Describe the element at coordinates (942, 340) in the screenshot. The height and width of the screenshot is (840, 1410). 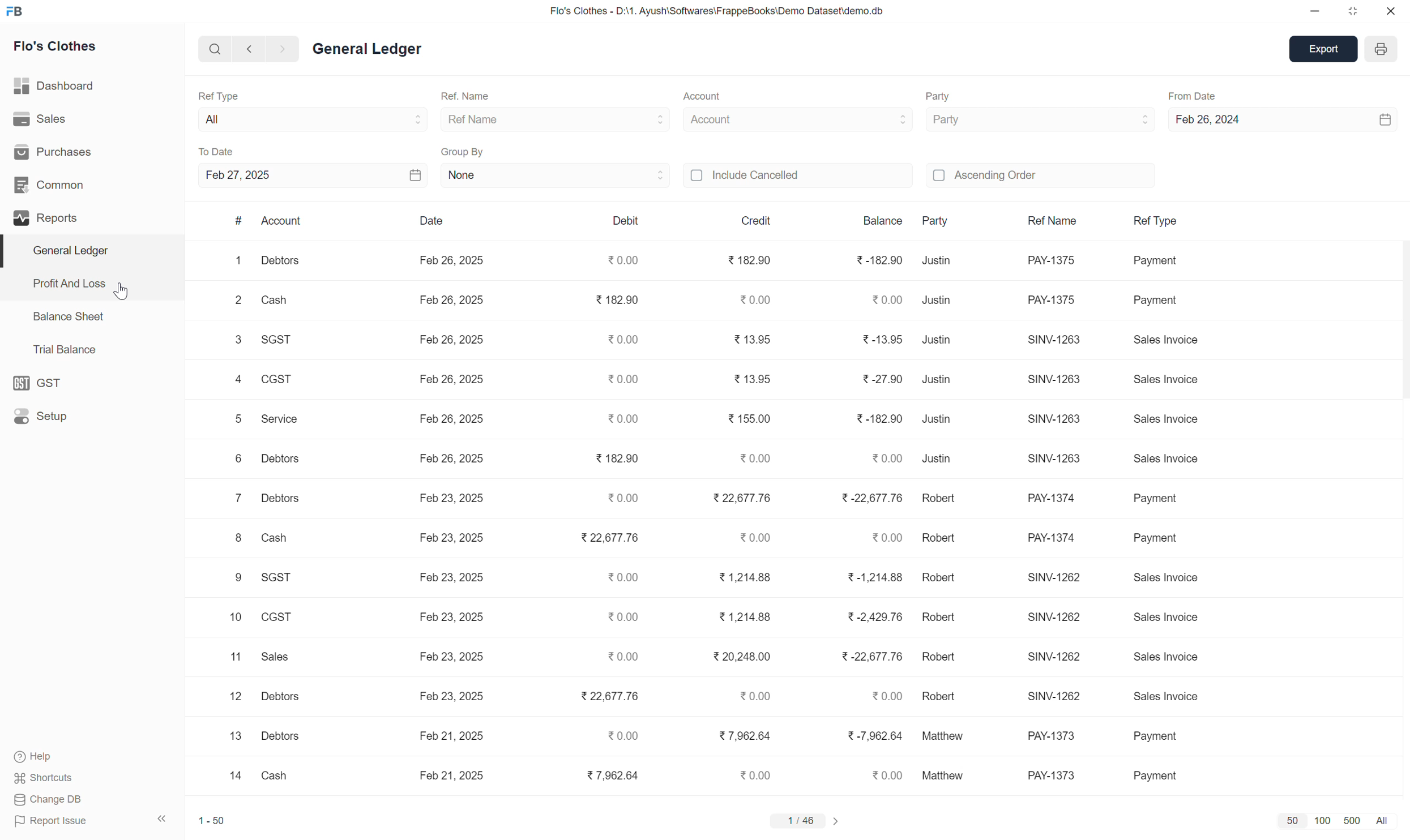
I see `Justin` at that location.